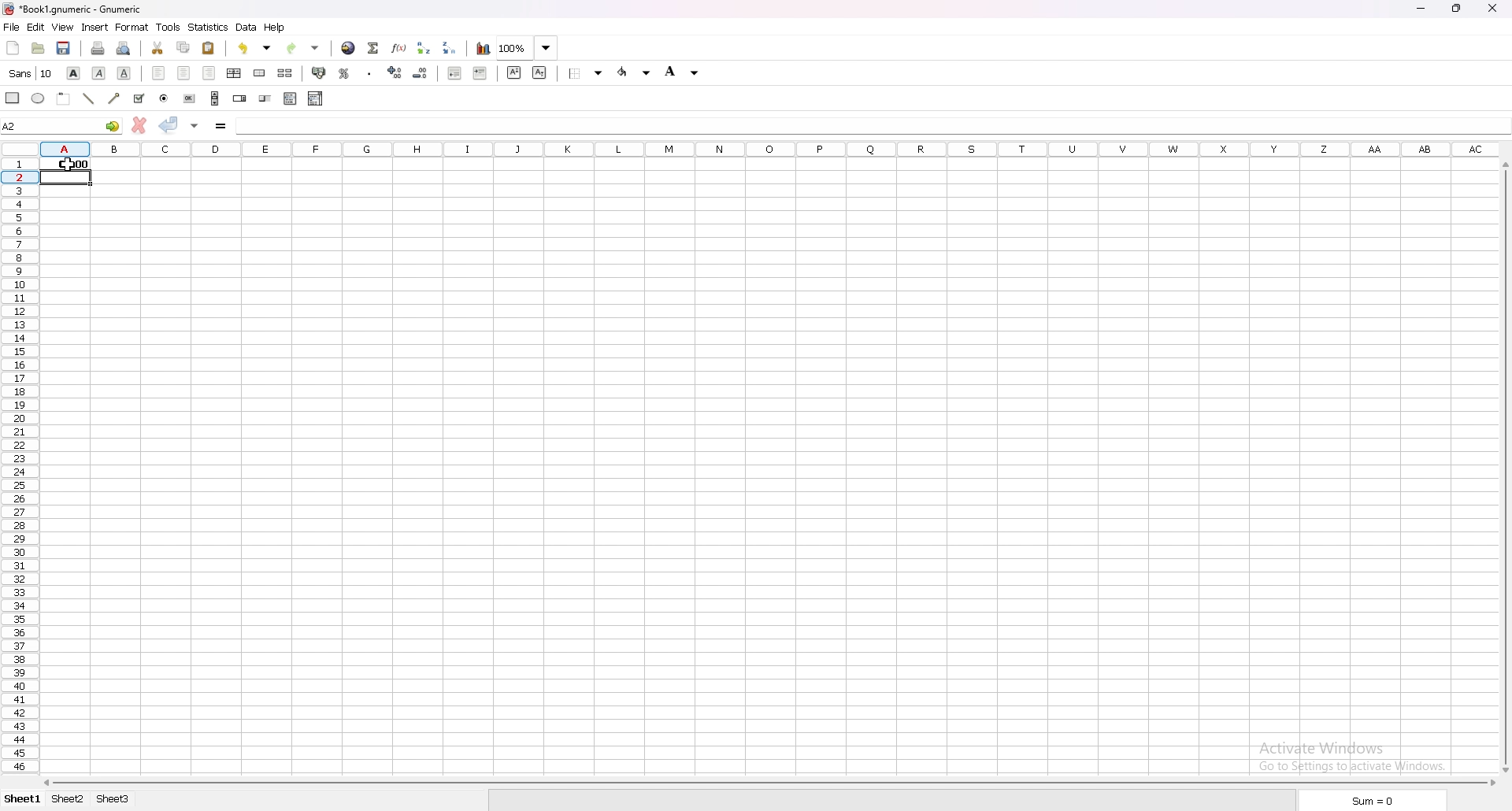 This screenshot has height=811, width=1512. I want to click on combo box, so click(315, 99).